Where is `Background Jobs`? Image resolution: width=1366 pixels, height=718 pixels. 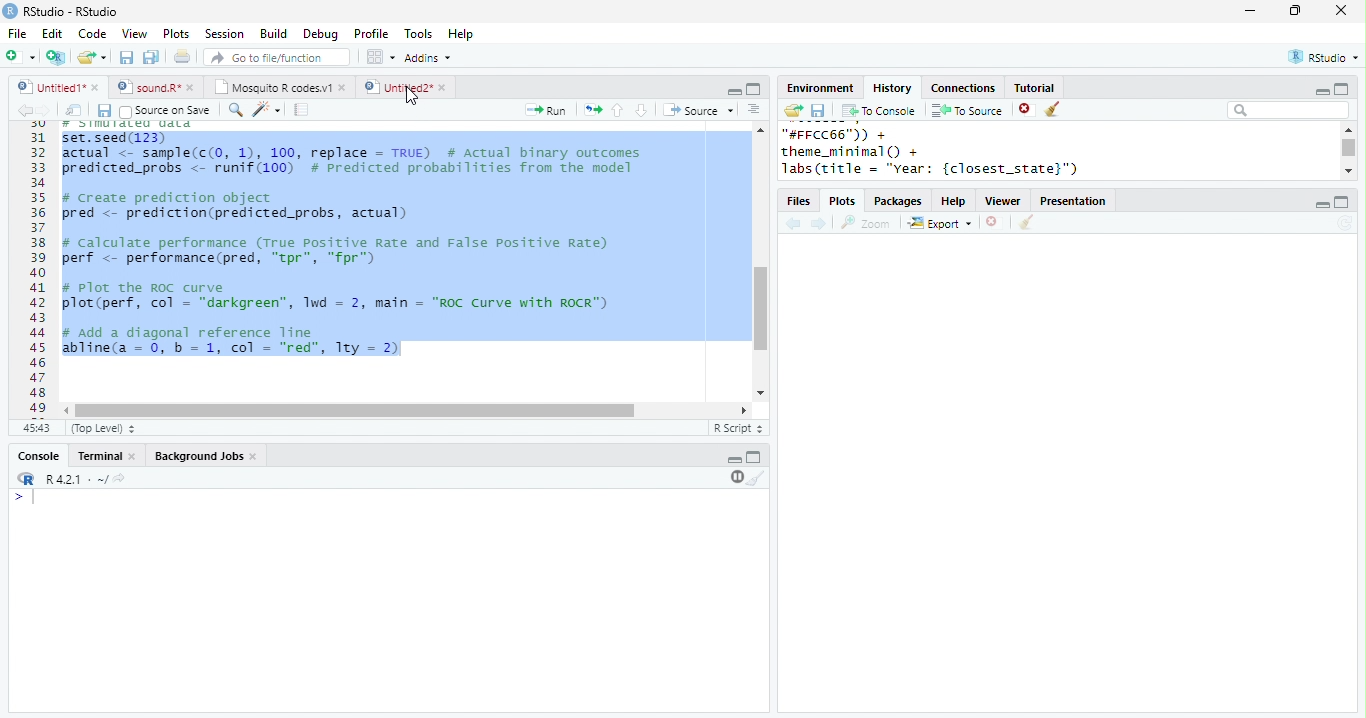
Background Jobs is located at coordinates (198, 456).